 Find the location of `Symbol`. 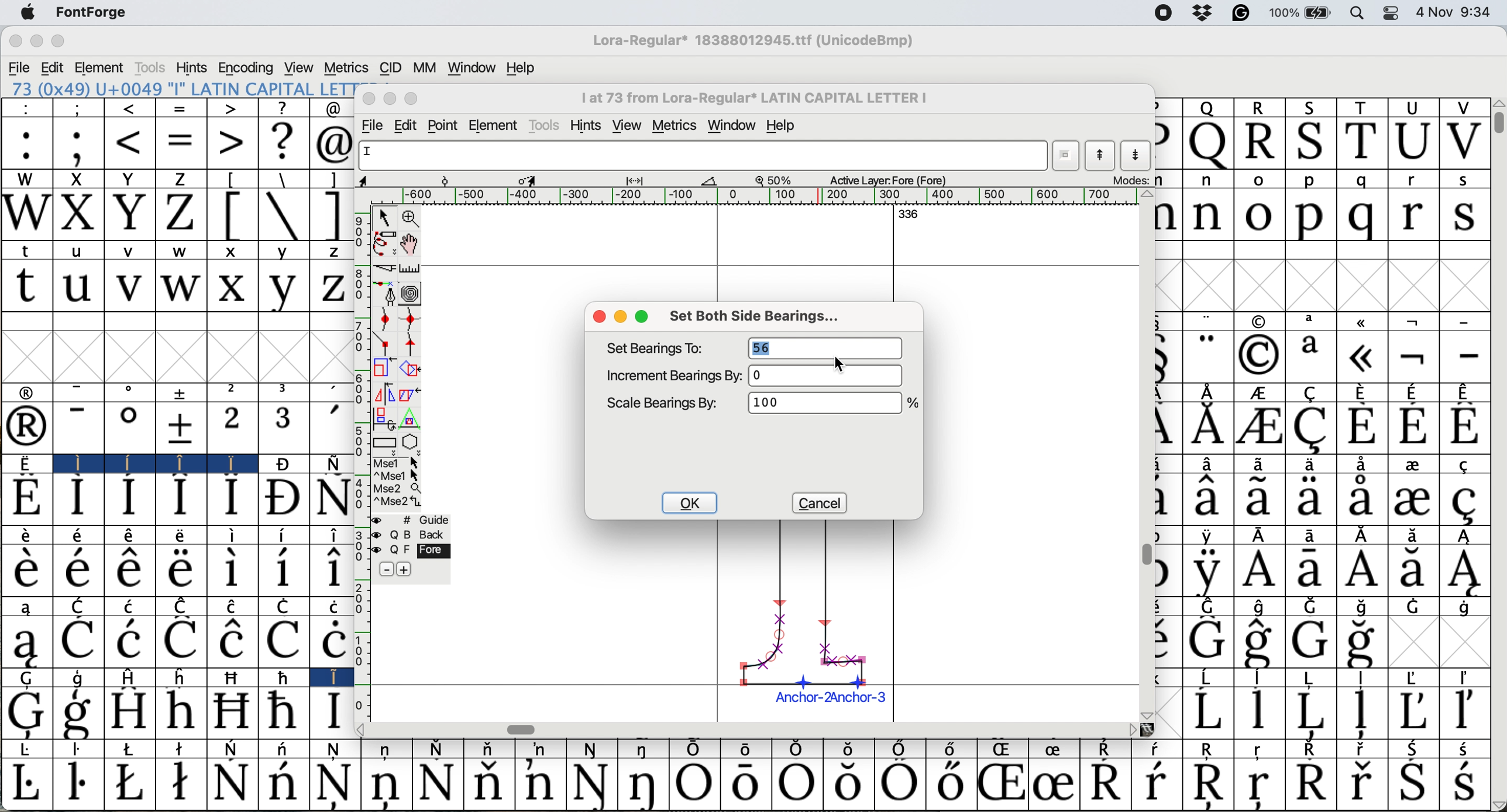

Symbol is located at coordinates (1412, 710).